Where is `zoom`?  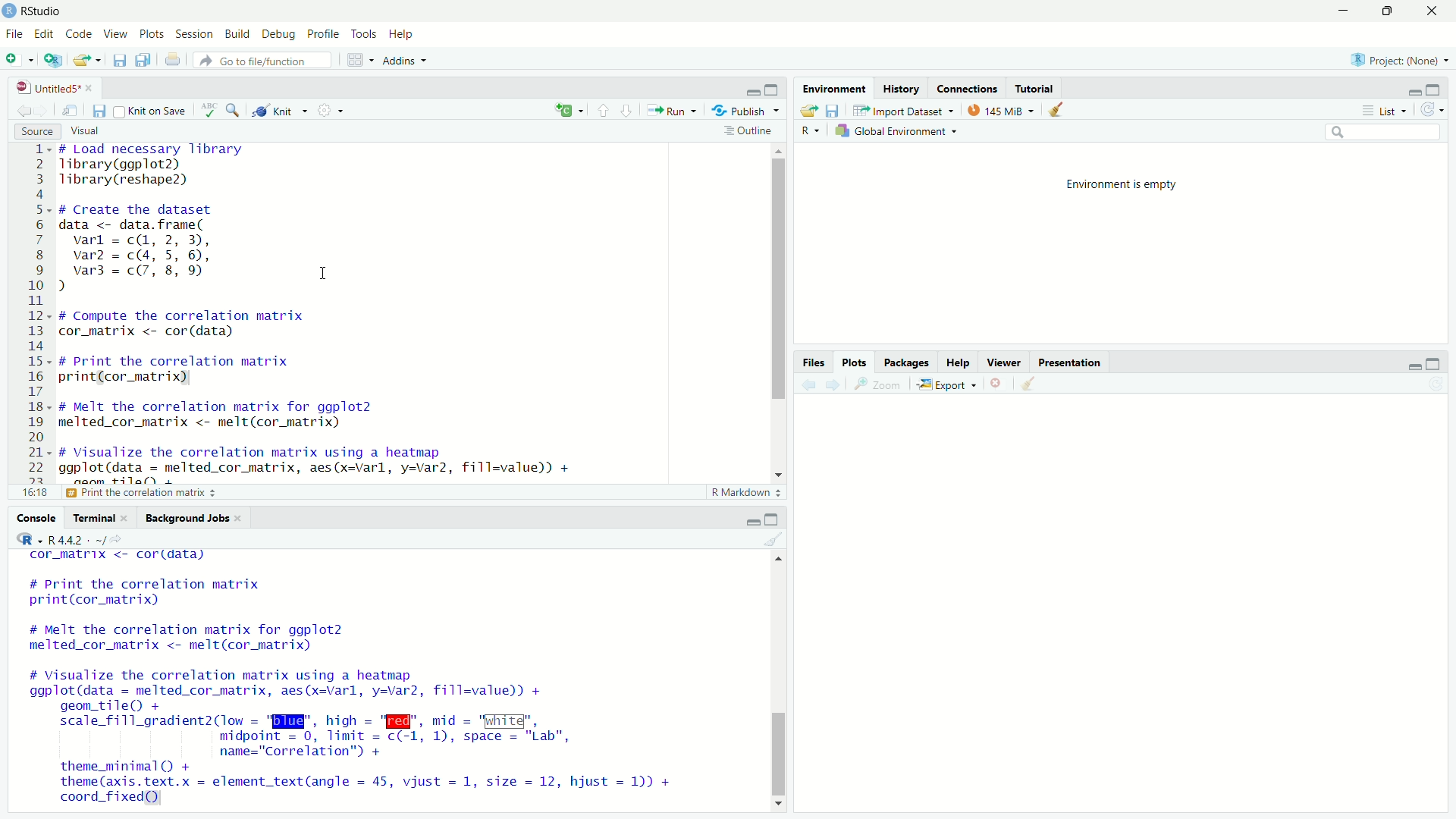
zoom is located at coordinates (881, 384).